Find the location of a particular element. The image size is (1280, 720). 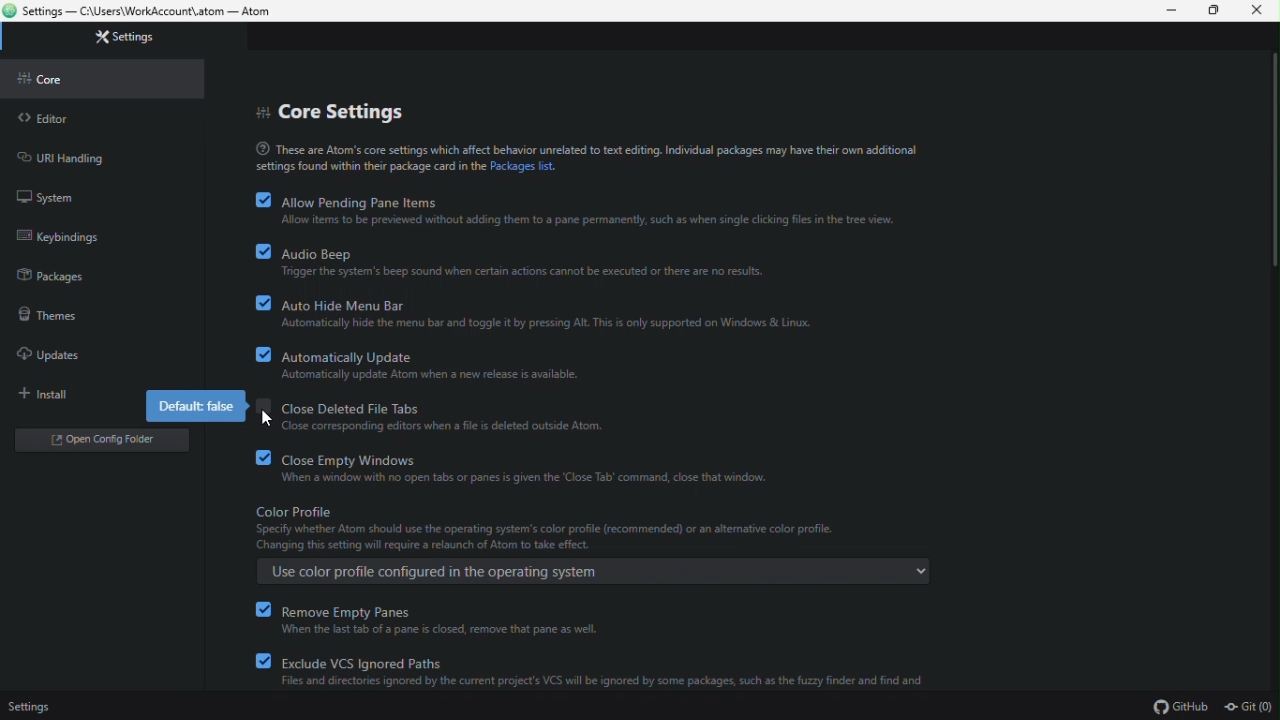

color profile is located at coordinates (590, 543).